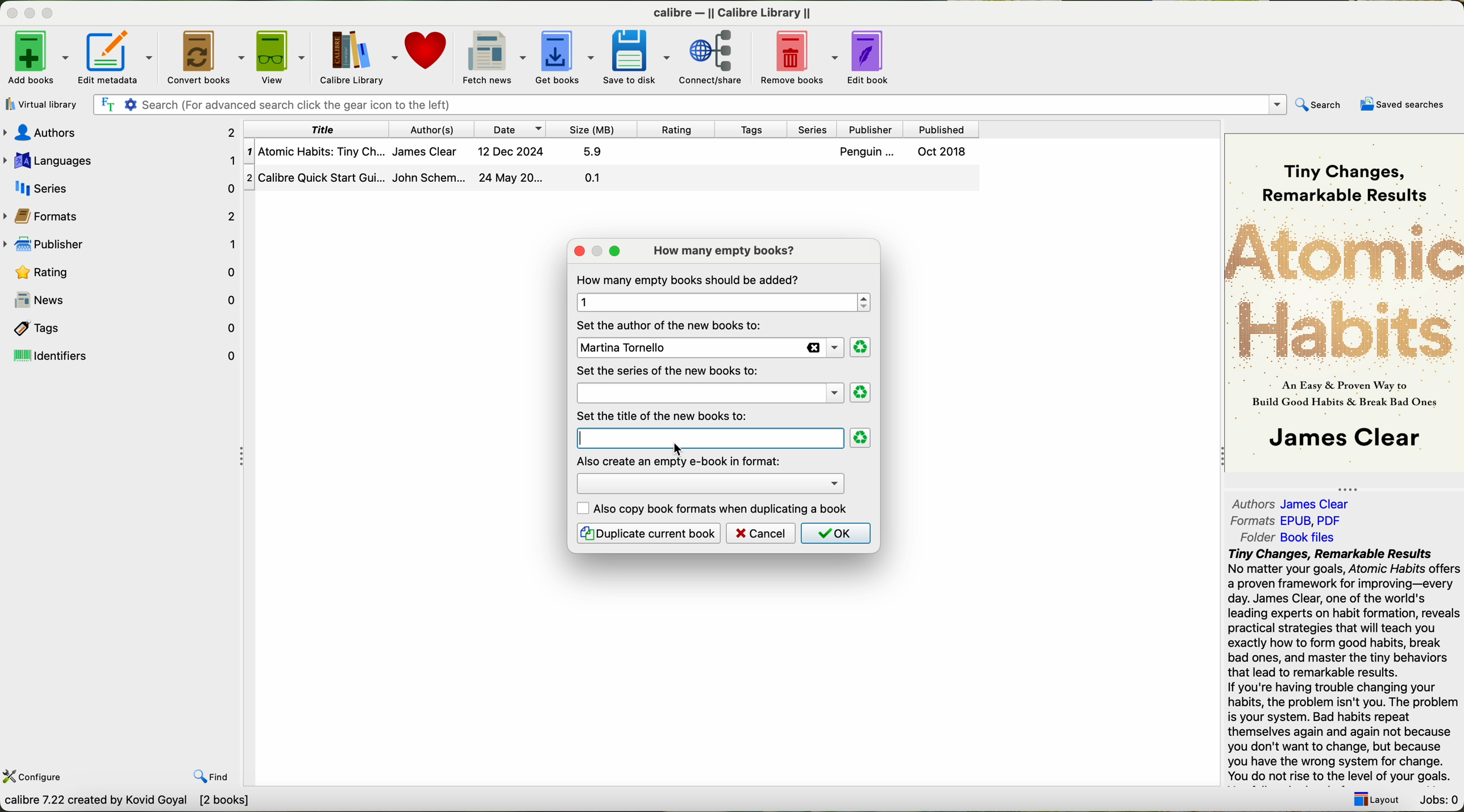 This screenshot has height=812, width=1464. Describe the element at coordinates (431, 52) in the screenshot. I see `donate` at that location.